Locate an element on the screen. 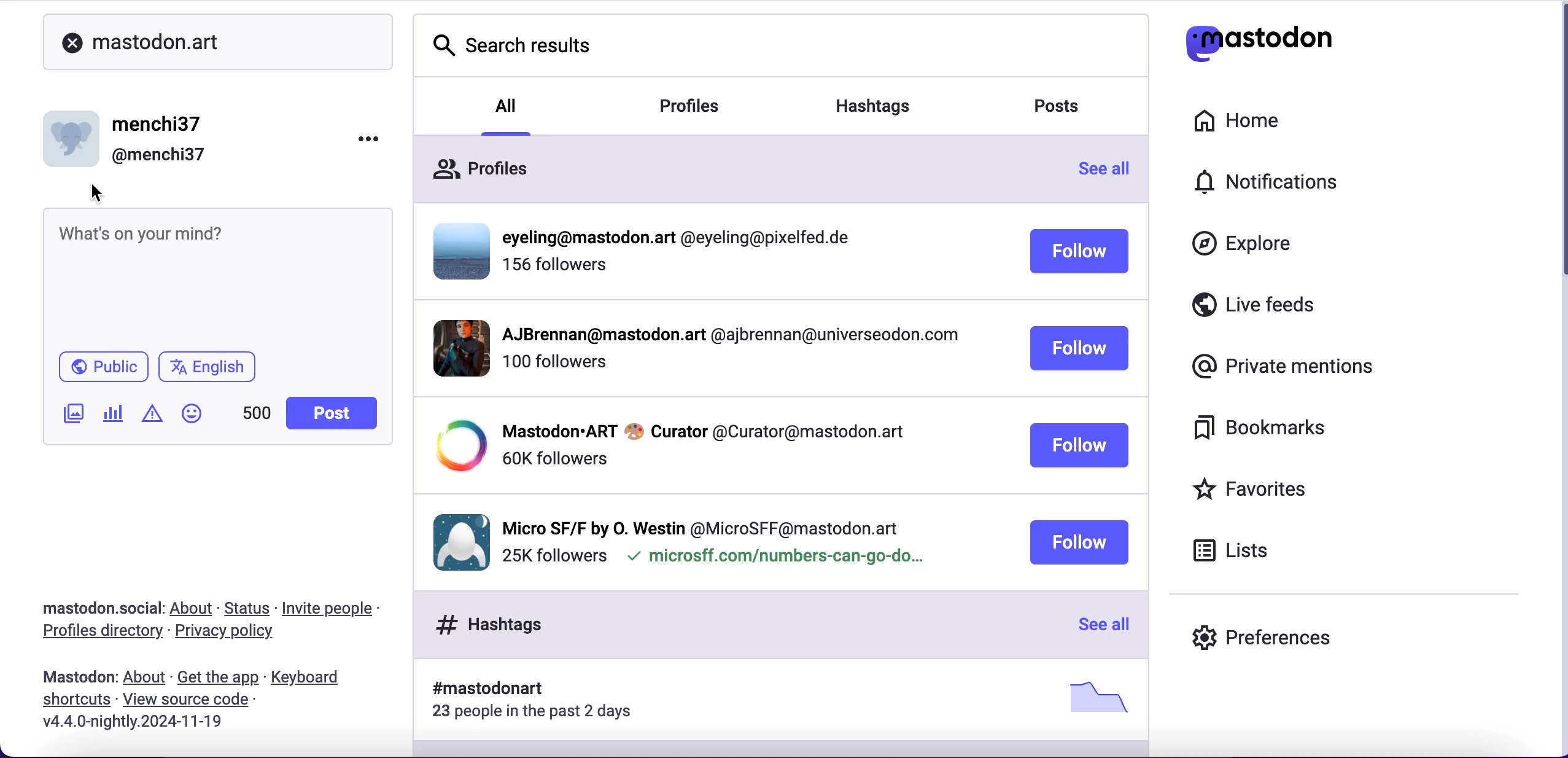 This screenshot has width=1568, height=758. characters is located at coordinates (257, 415).